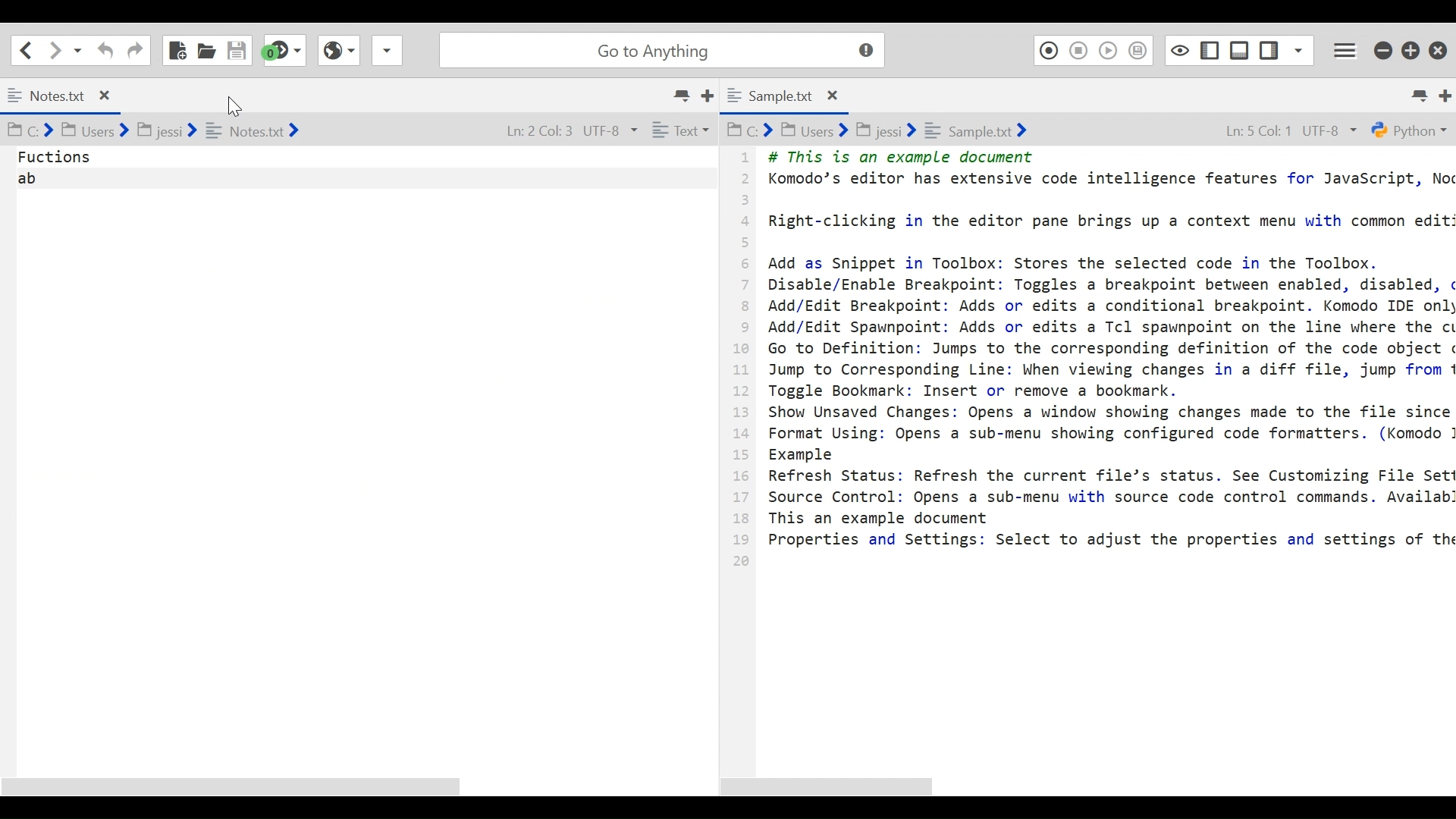  What do you see at coordinates (385, 50) in the screenshot?
I see `Share File` at bounding box center [385, 50].